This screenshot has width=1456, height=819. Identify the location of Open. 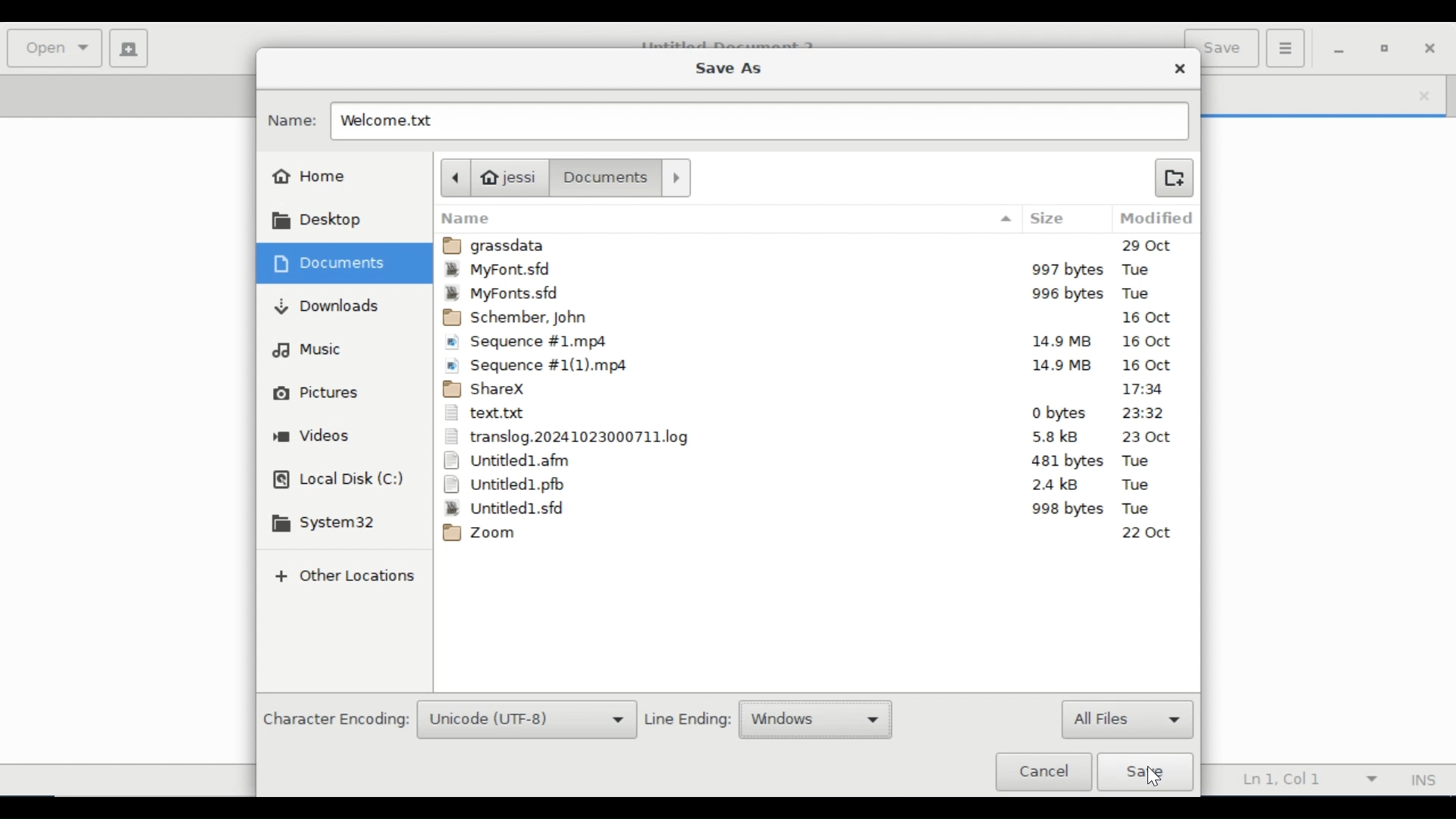
(55, 49).